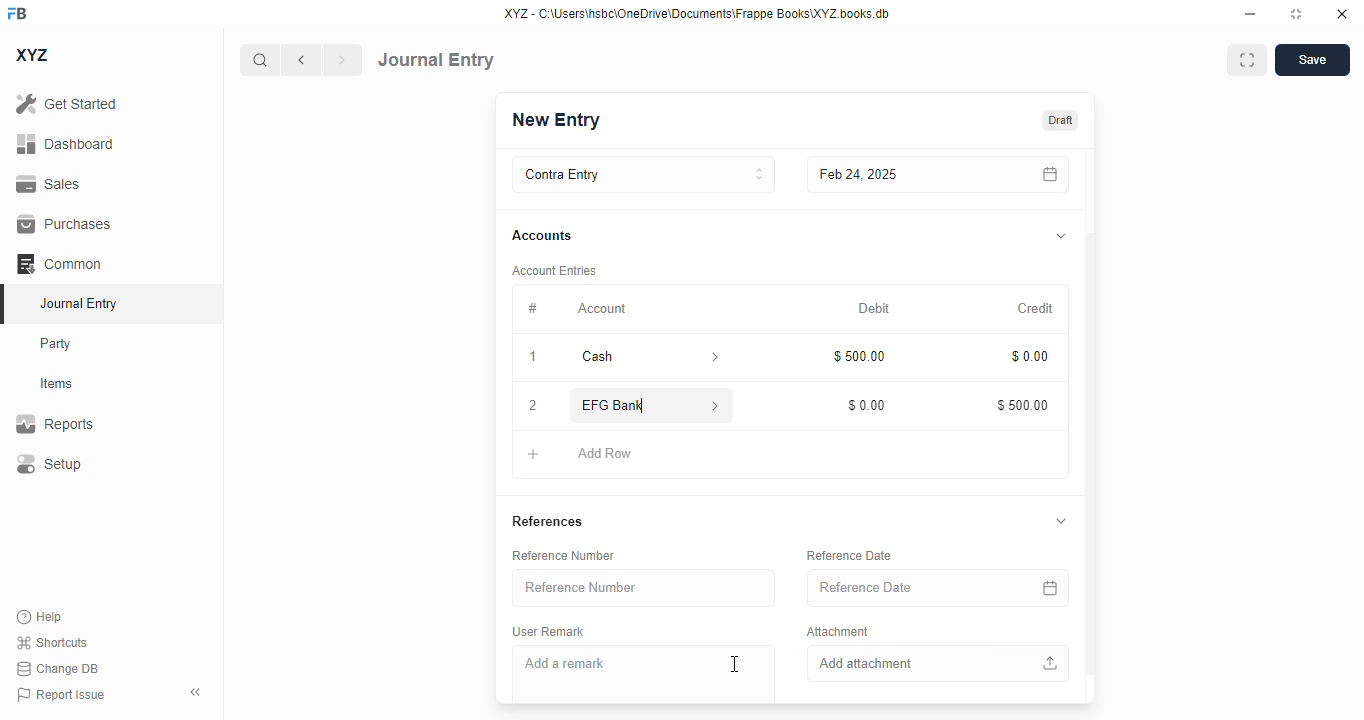 The width and height of the screenshot is (1364, 720). Describe the element at coordinates (343, 60) in the screenshot. I see `next` at that location.